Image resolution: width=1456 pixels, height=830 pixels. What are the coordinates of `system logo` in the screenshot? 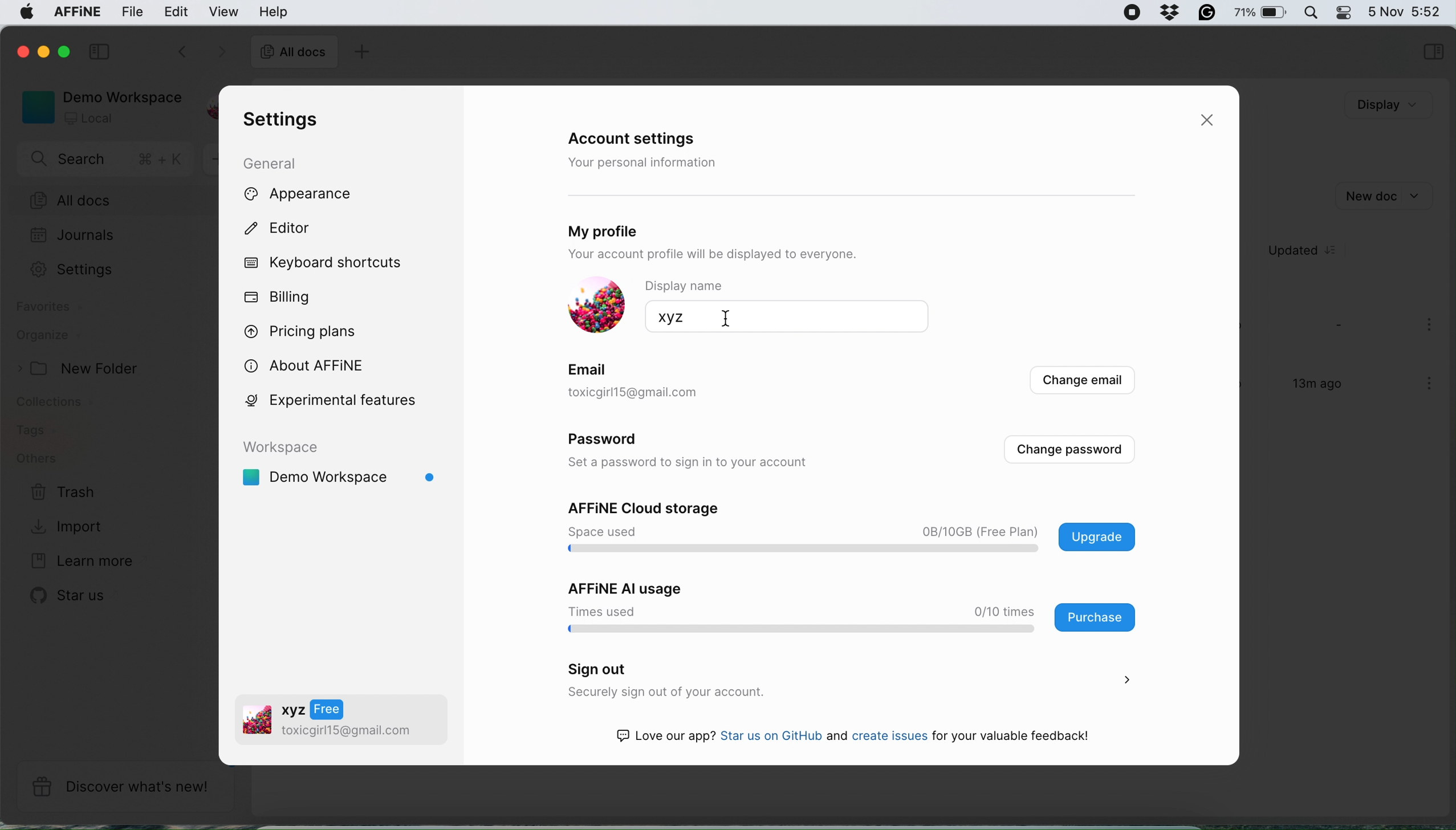 It's located at (22, 14).